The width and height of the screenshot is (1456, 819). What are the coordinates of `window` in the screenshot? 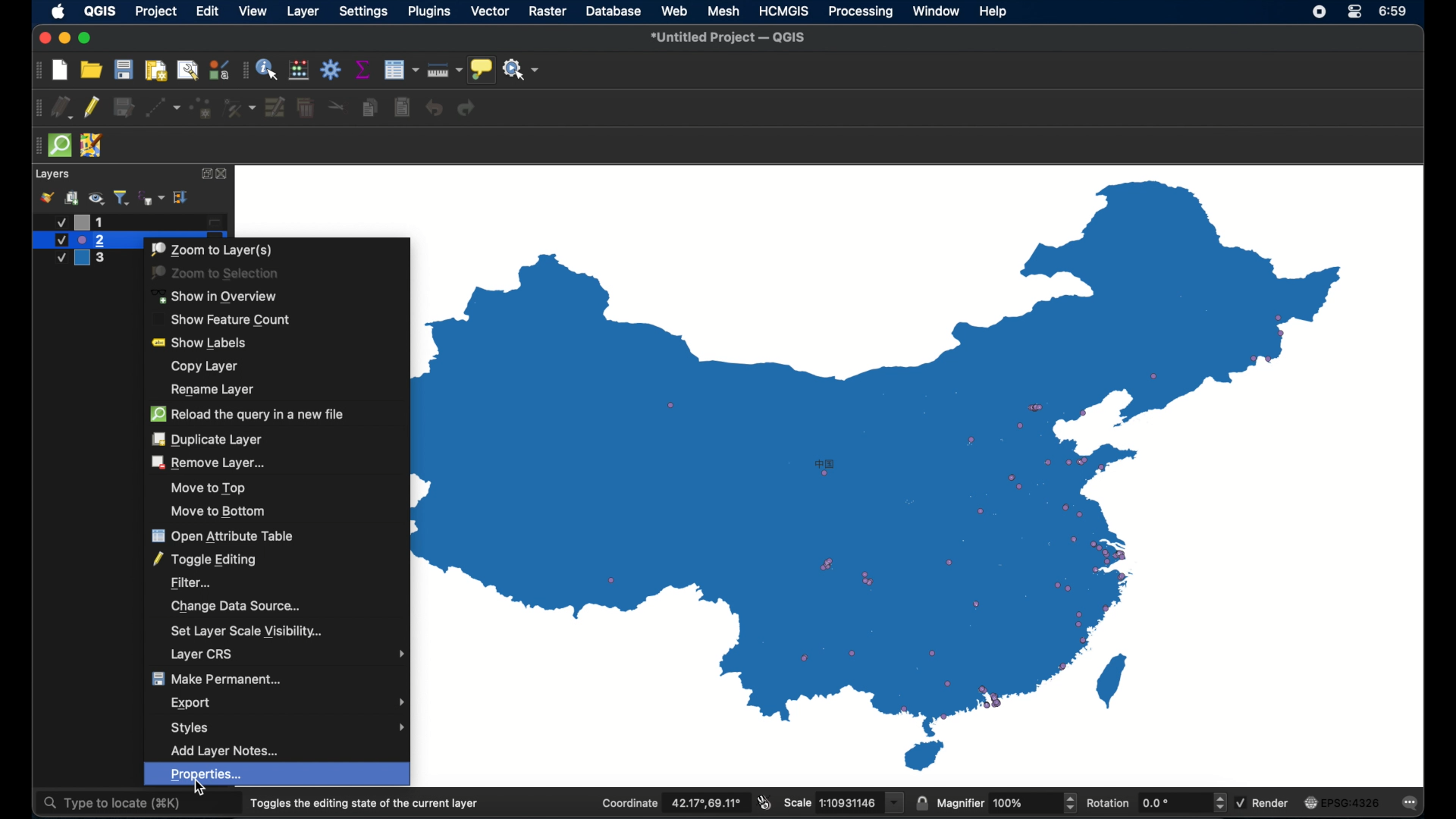 It's located at (937, 12).